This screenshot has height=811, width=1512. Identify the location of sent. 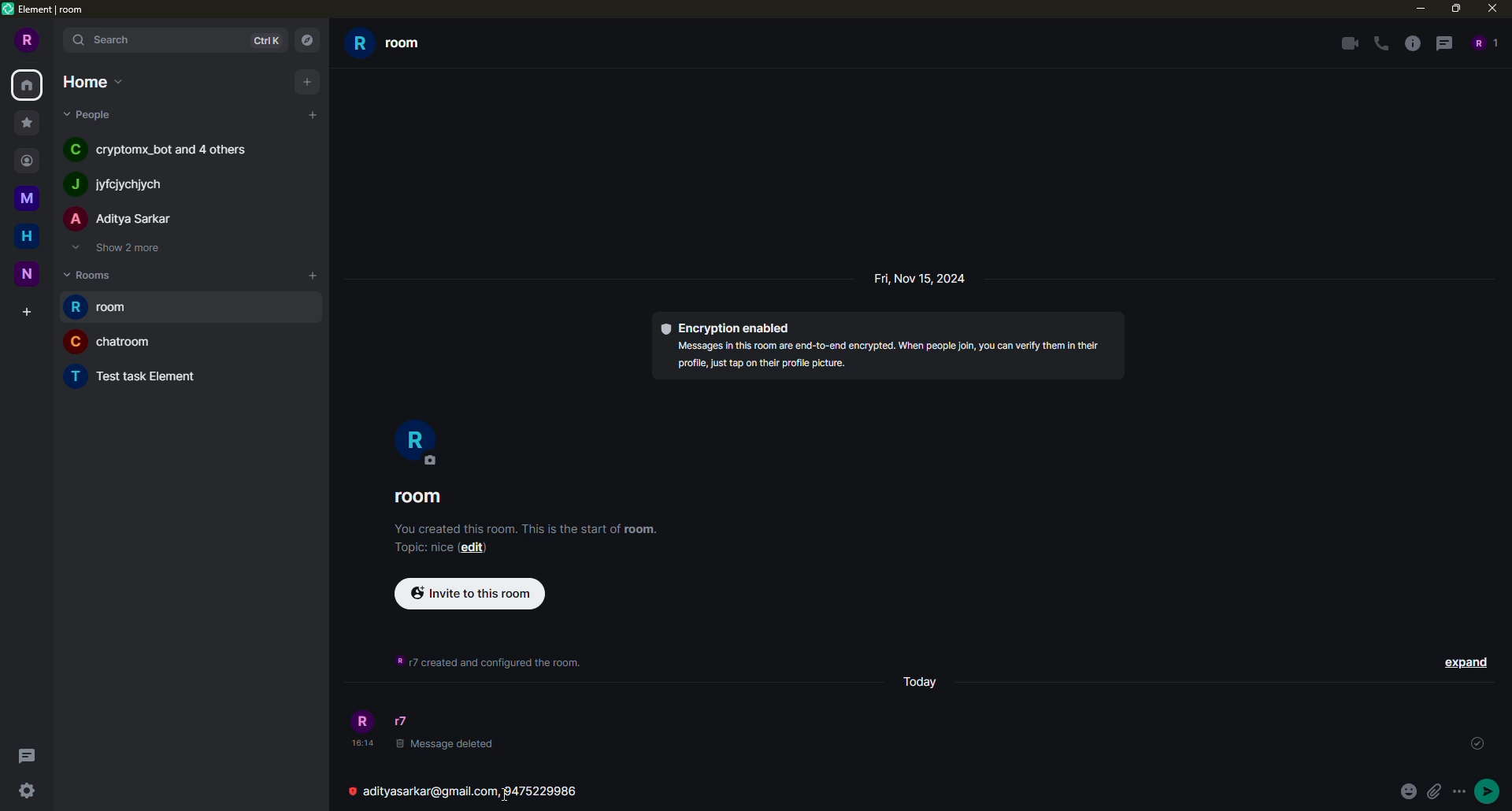
(1476, 743).